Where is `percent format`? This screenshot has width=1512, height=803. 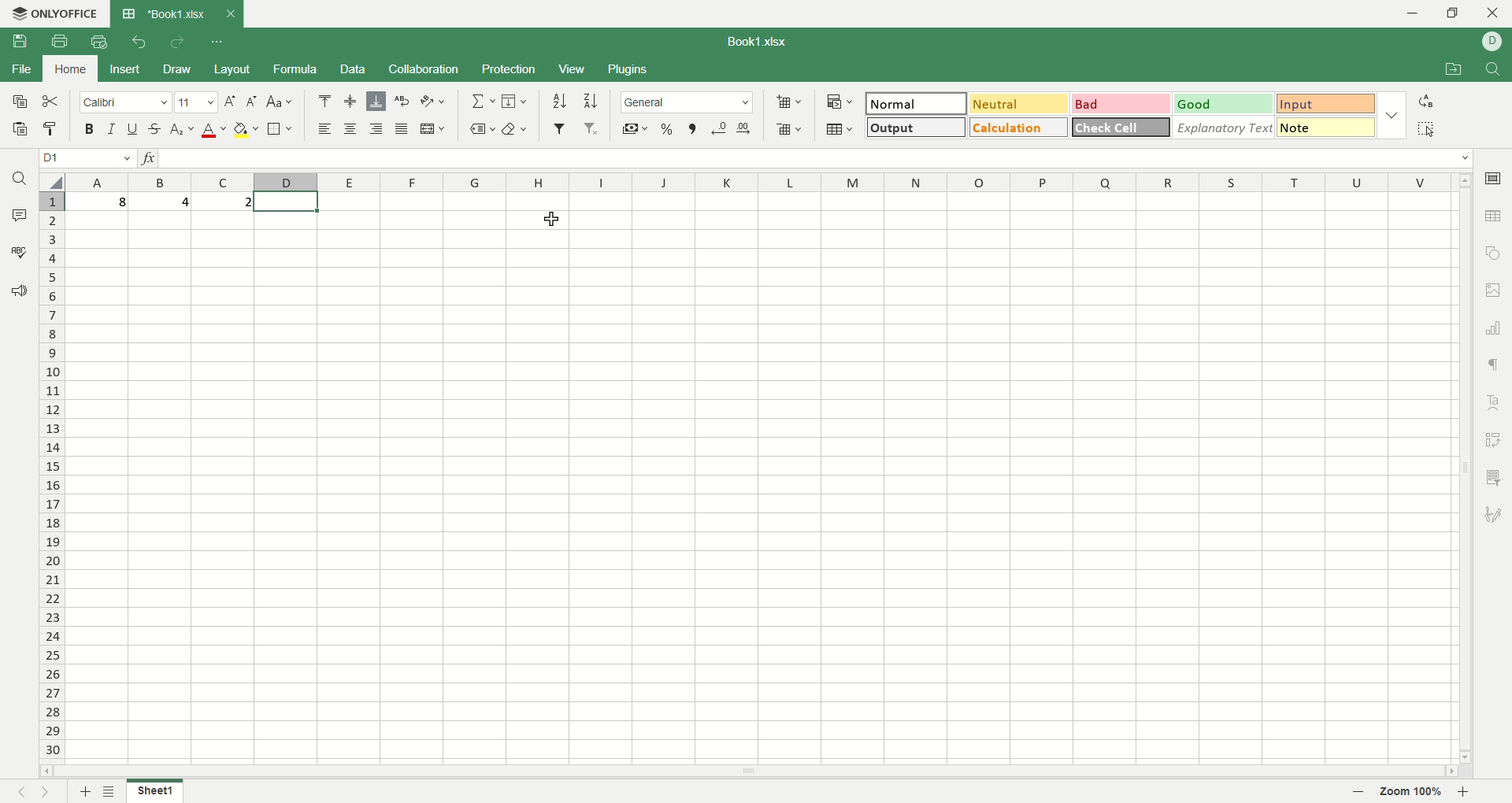 percent format is located at coordinates (669, 129).